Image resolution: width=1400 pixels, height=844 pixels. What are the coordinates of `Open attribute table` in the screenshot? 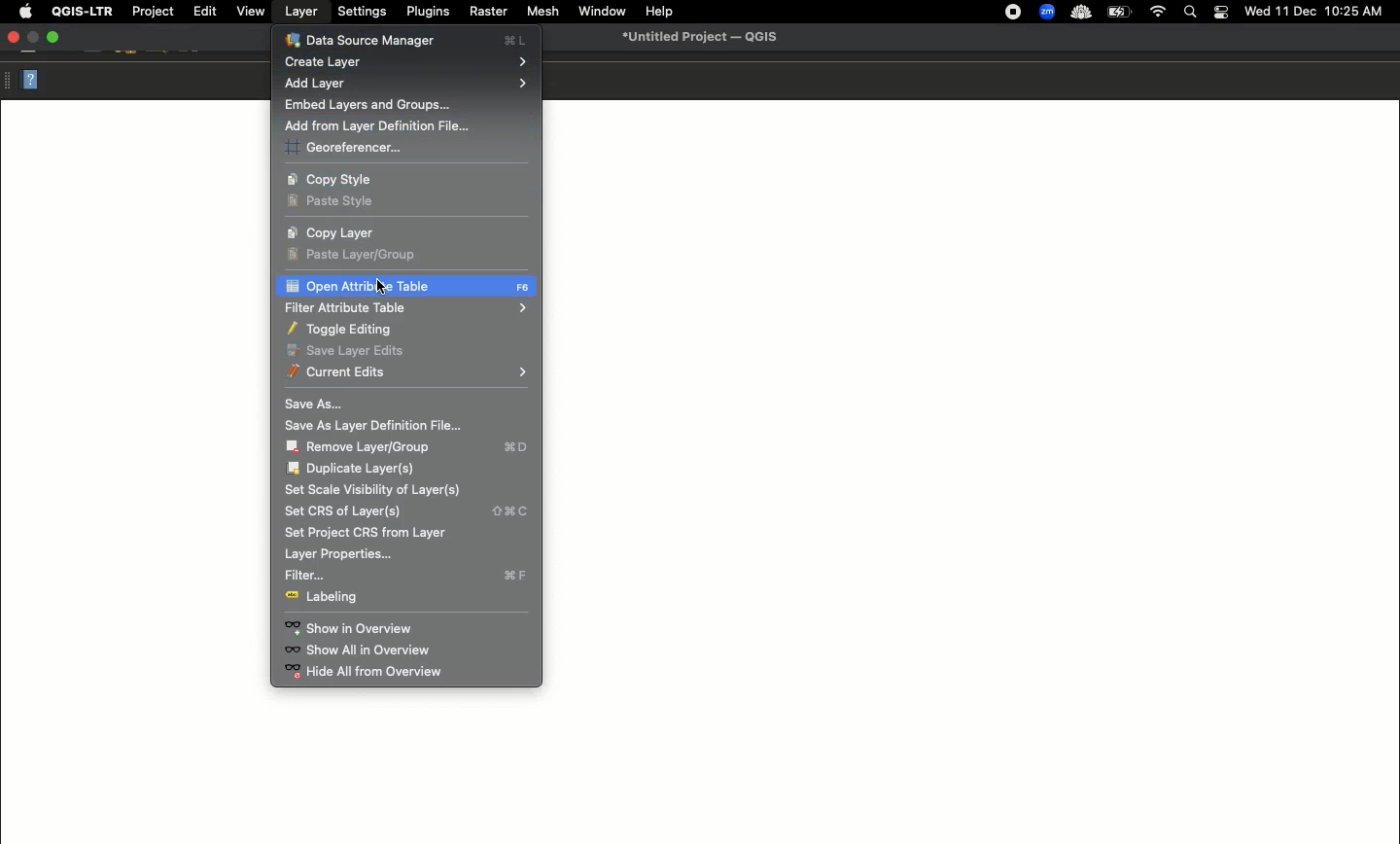 It's located at (405, 288).